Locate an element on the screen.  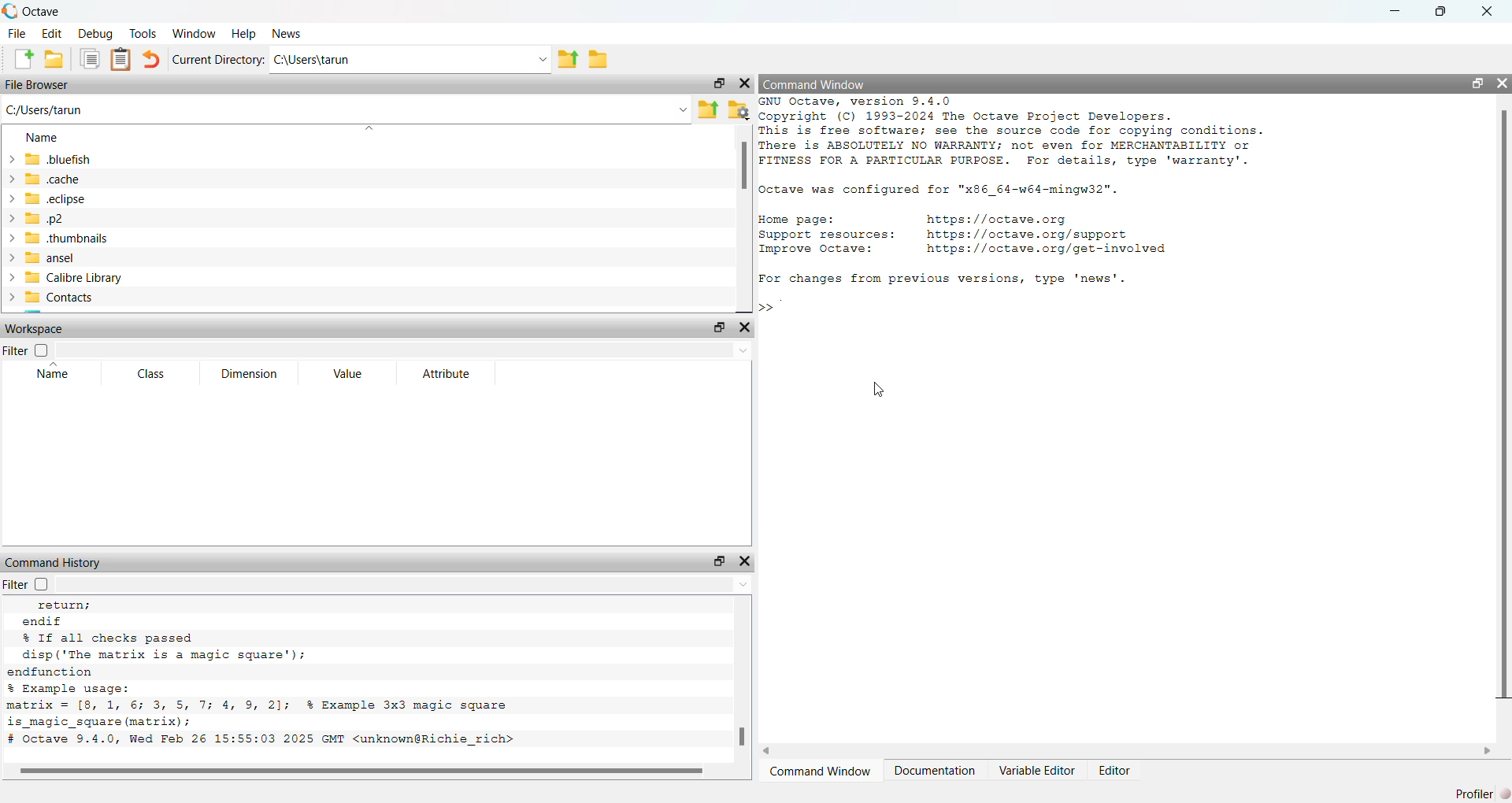
Attribute is located at coordinates (445, 373).